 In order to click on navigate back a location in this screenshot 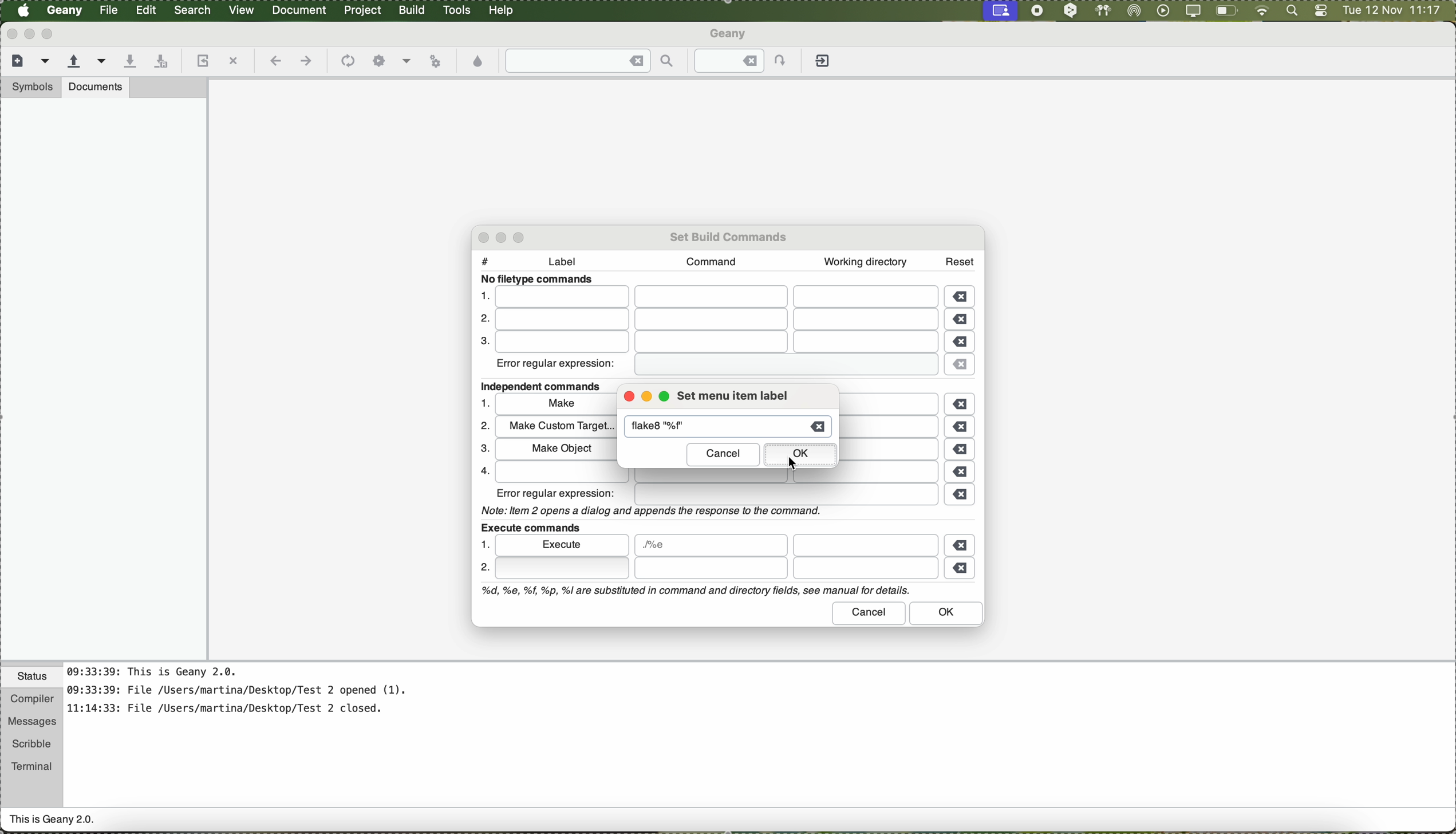, I will do `click(274, 61)`.